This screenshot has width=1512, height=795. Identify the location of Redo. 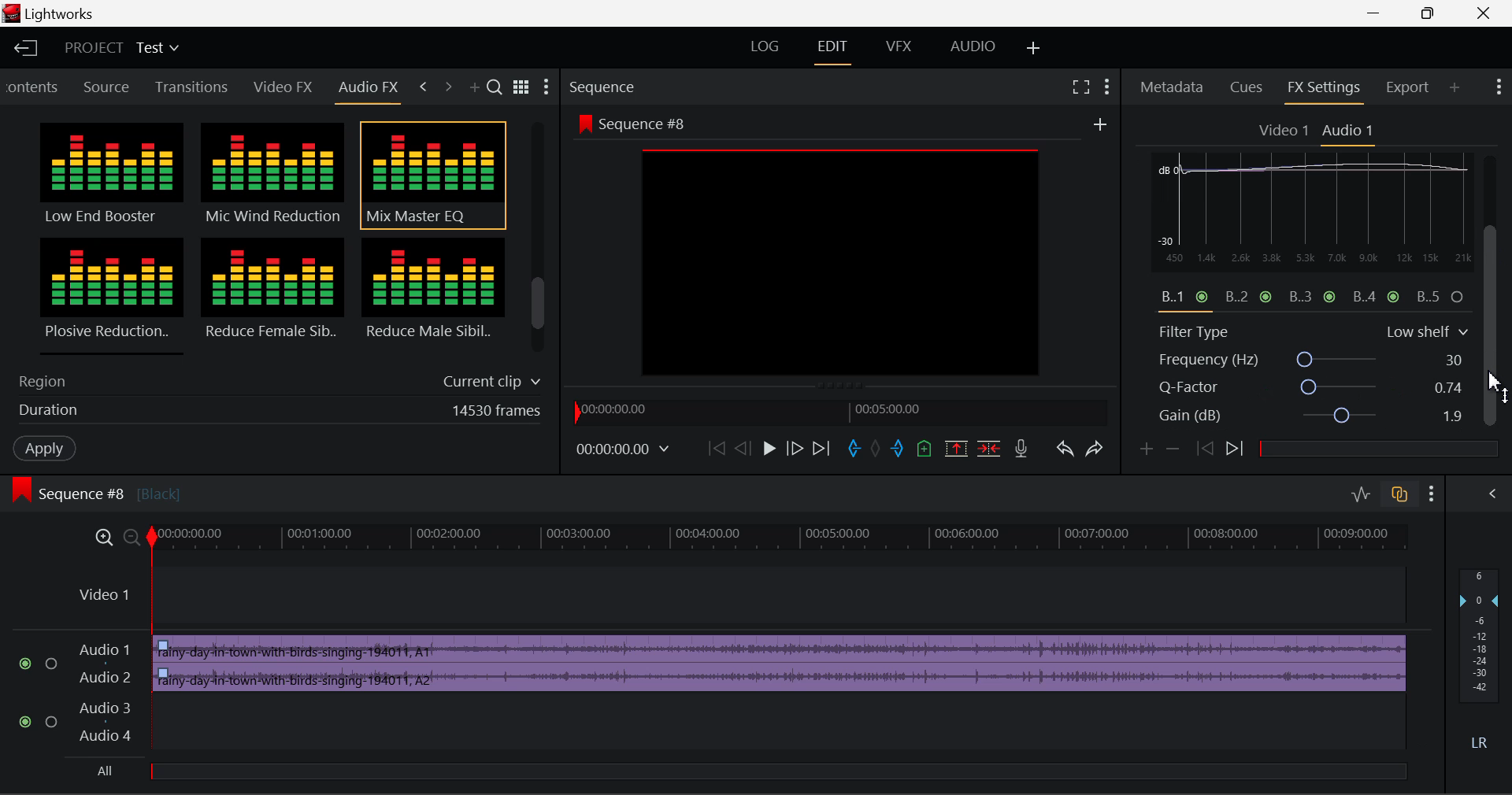
(1099, 453).